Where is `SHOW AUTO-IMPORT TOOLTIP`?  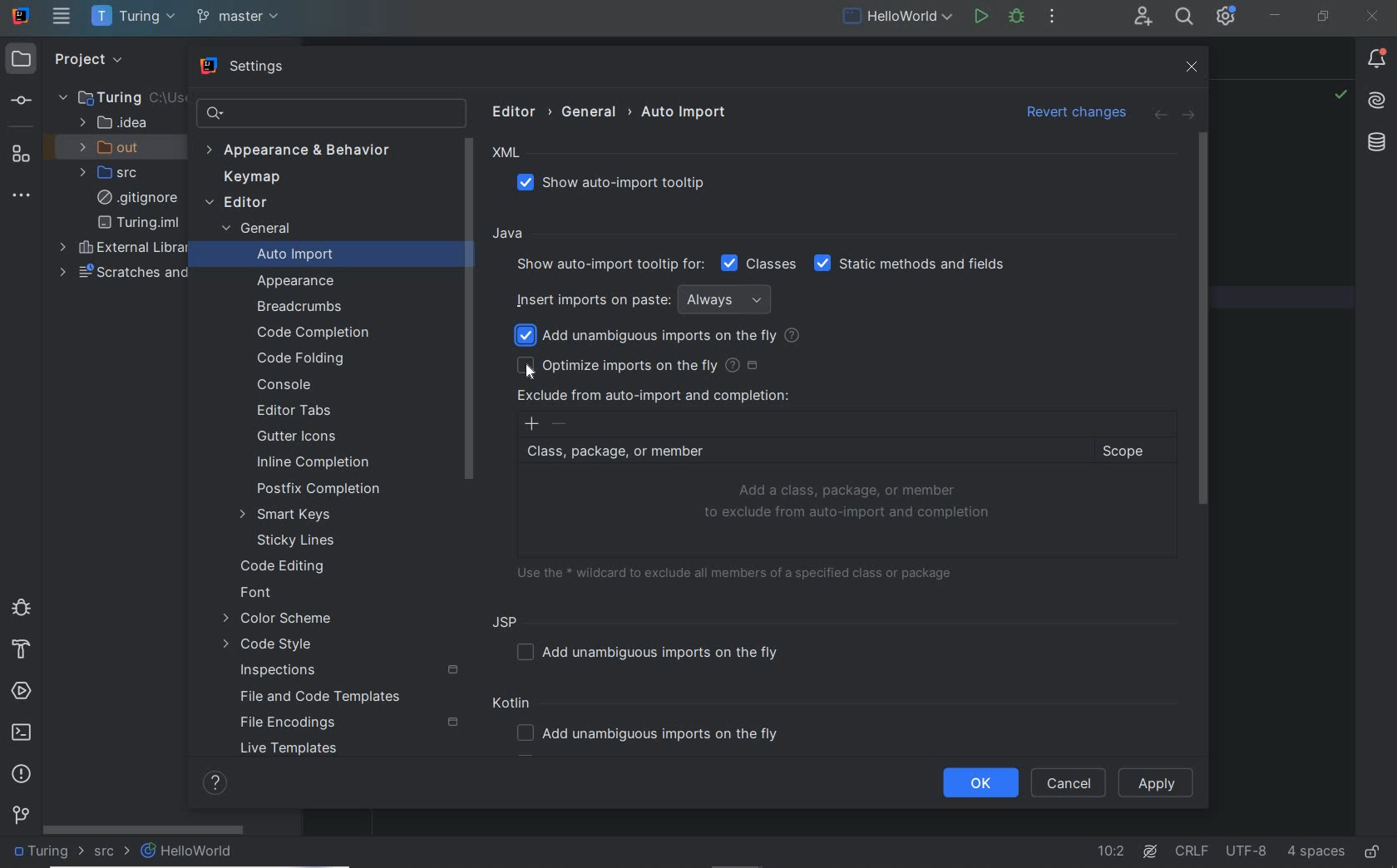
SHOW AUTO-IMPORT TOOLTIP is located at coordinates (621, 184).